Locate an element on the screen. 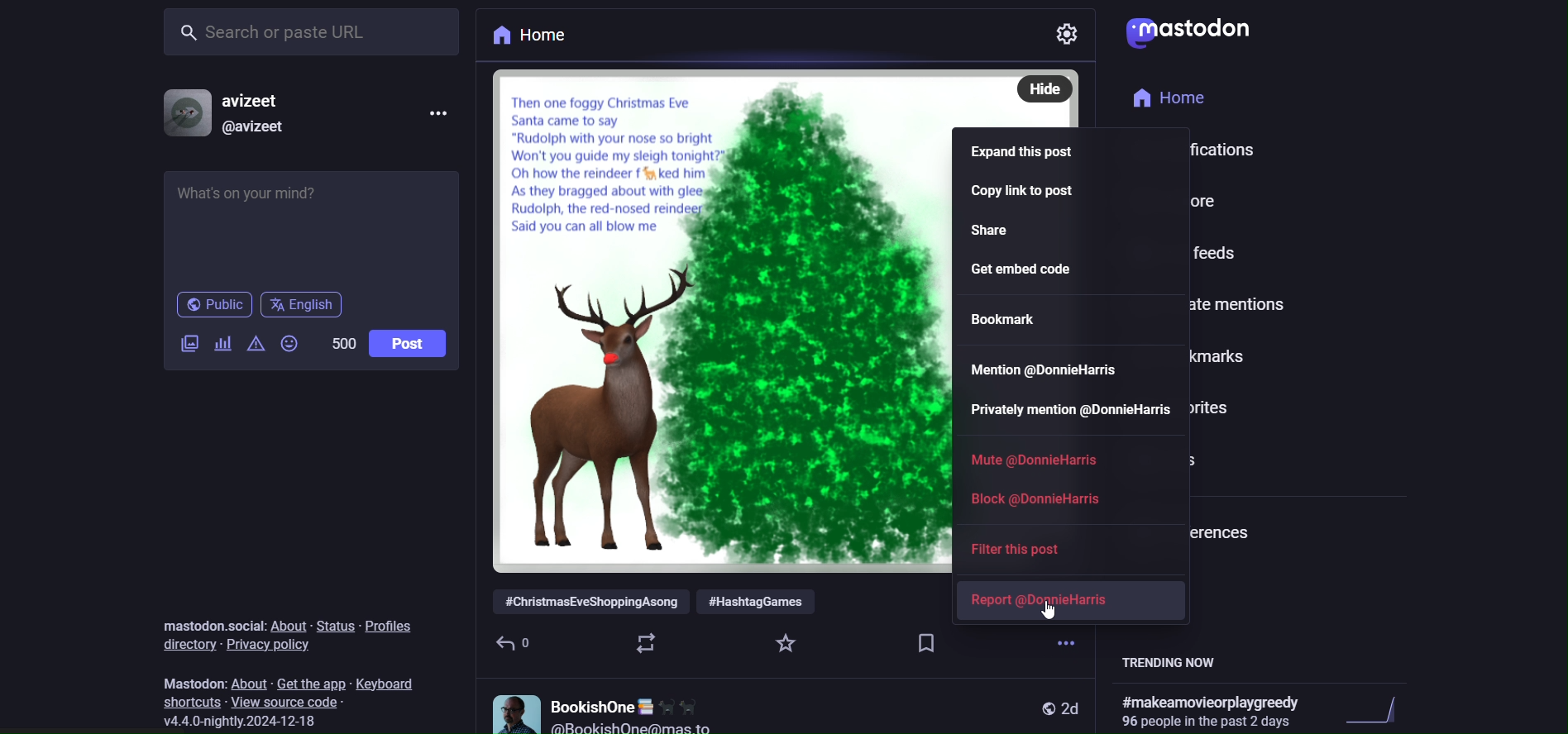 Image resolution: width=1568 pixels, height=734 pixels. live feed is located at coordinates (1210, 254).